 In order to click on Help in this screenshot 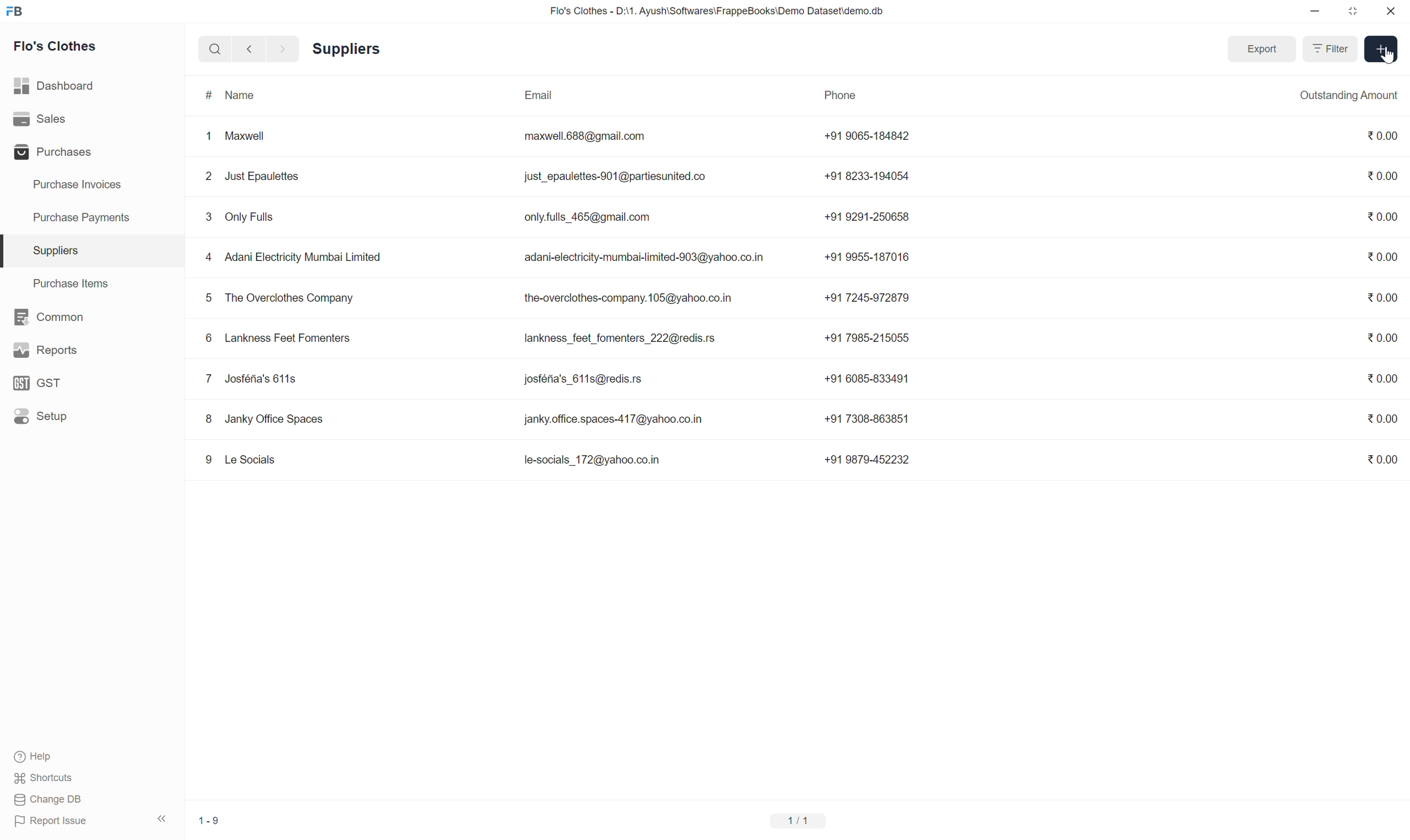, I will do `click(44, 757)`.